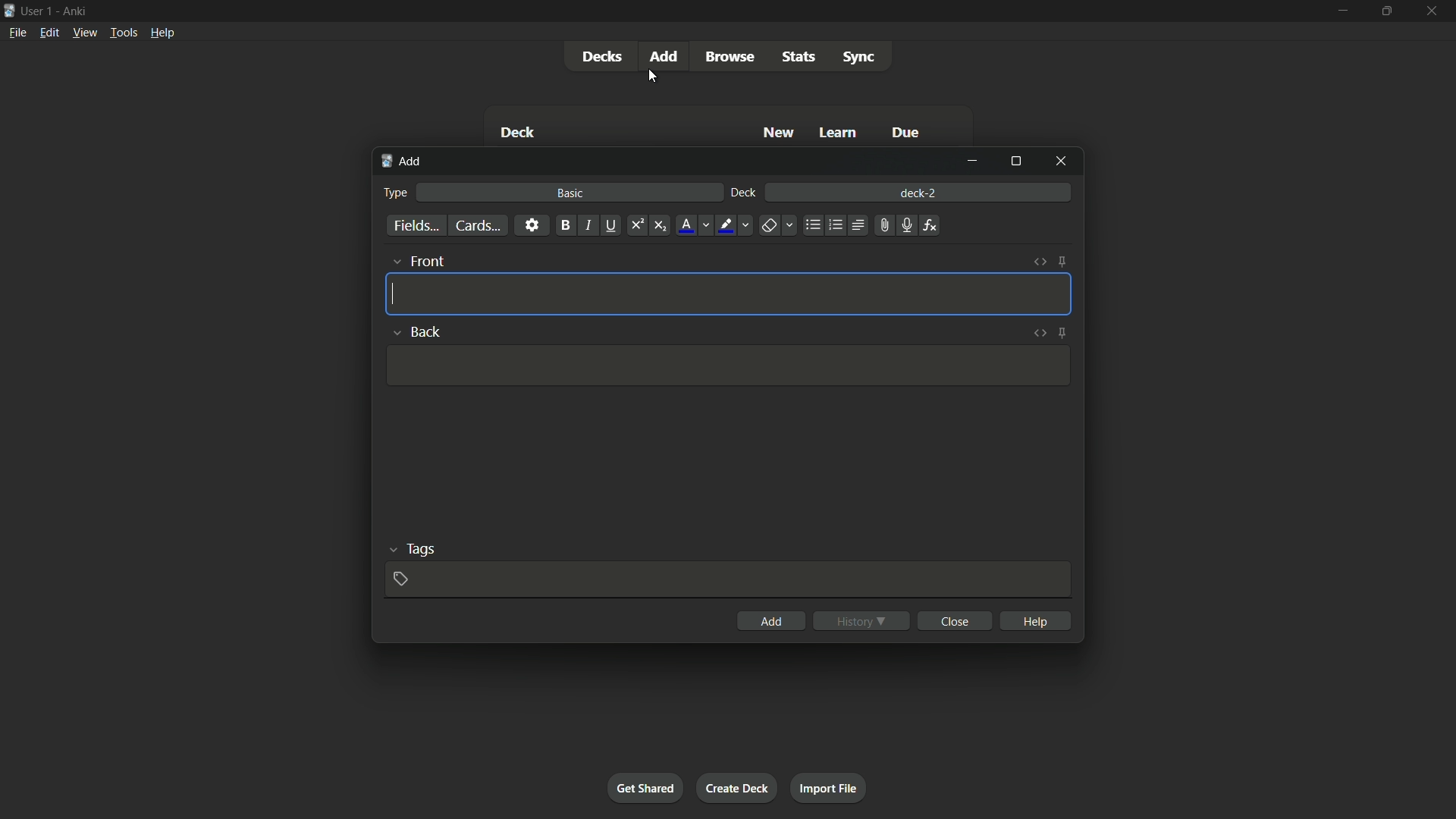  I want to click on add tag, so click(403, 579).